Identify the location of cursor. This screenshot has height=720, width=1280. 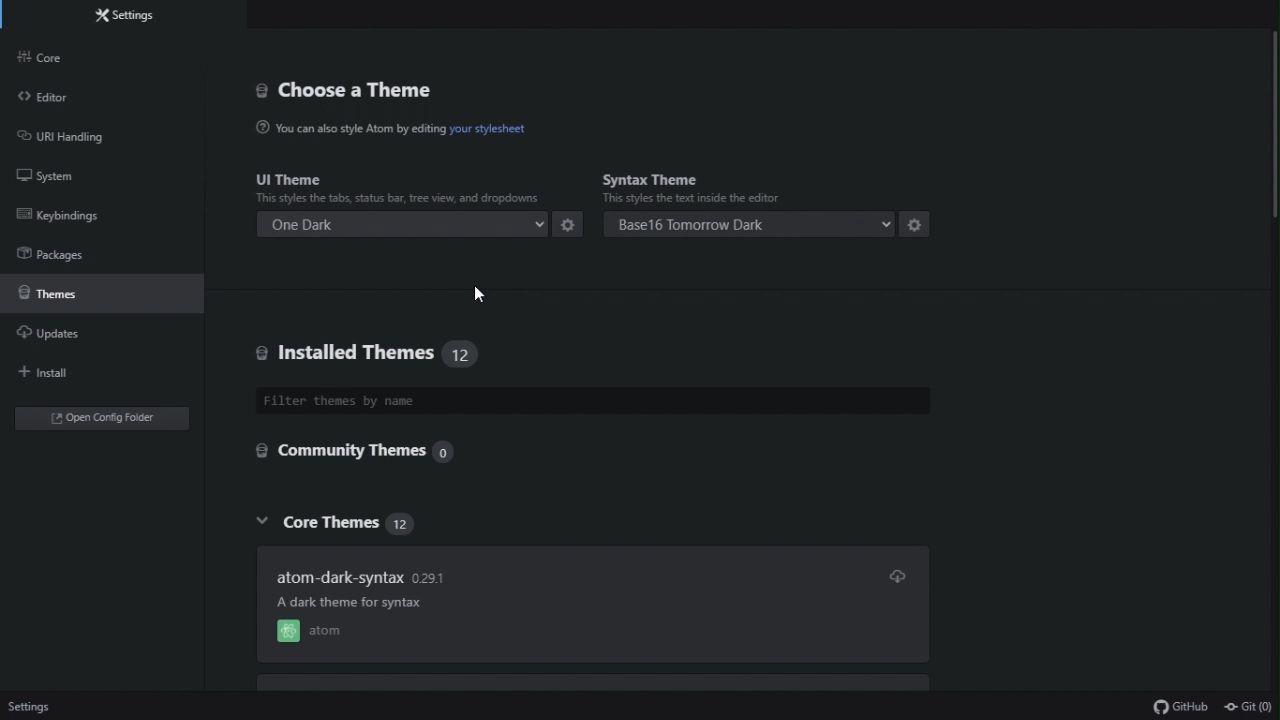
(483, 296).